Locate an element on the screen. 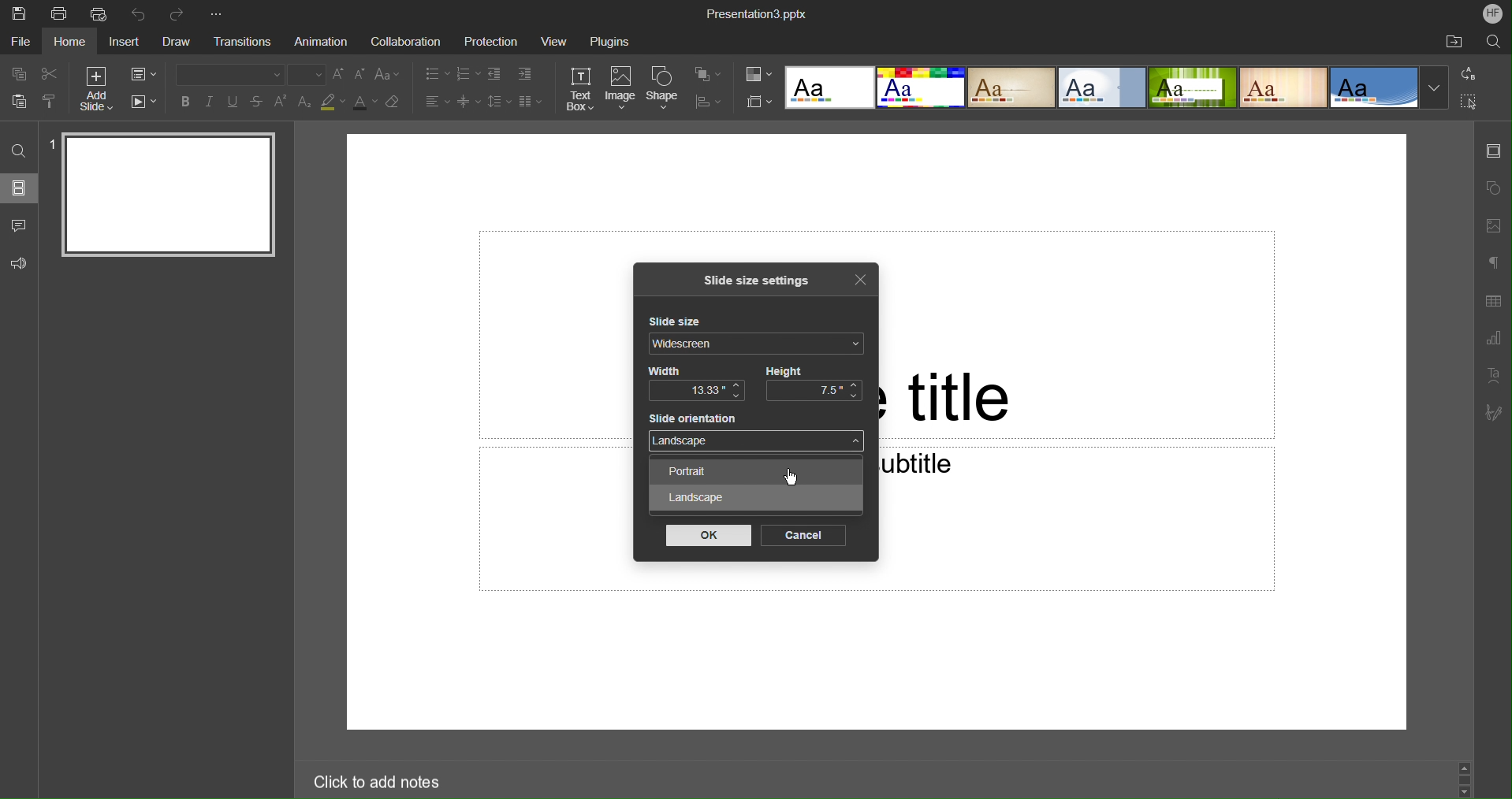 This screenshot has height=799, width=1512. Playback is located at coordinates (145, 102).